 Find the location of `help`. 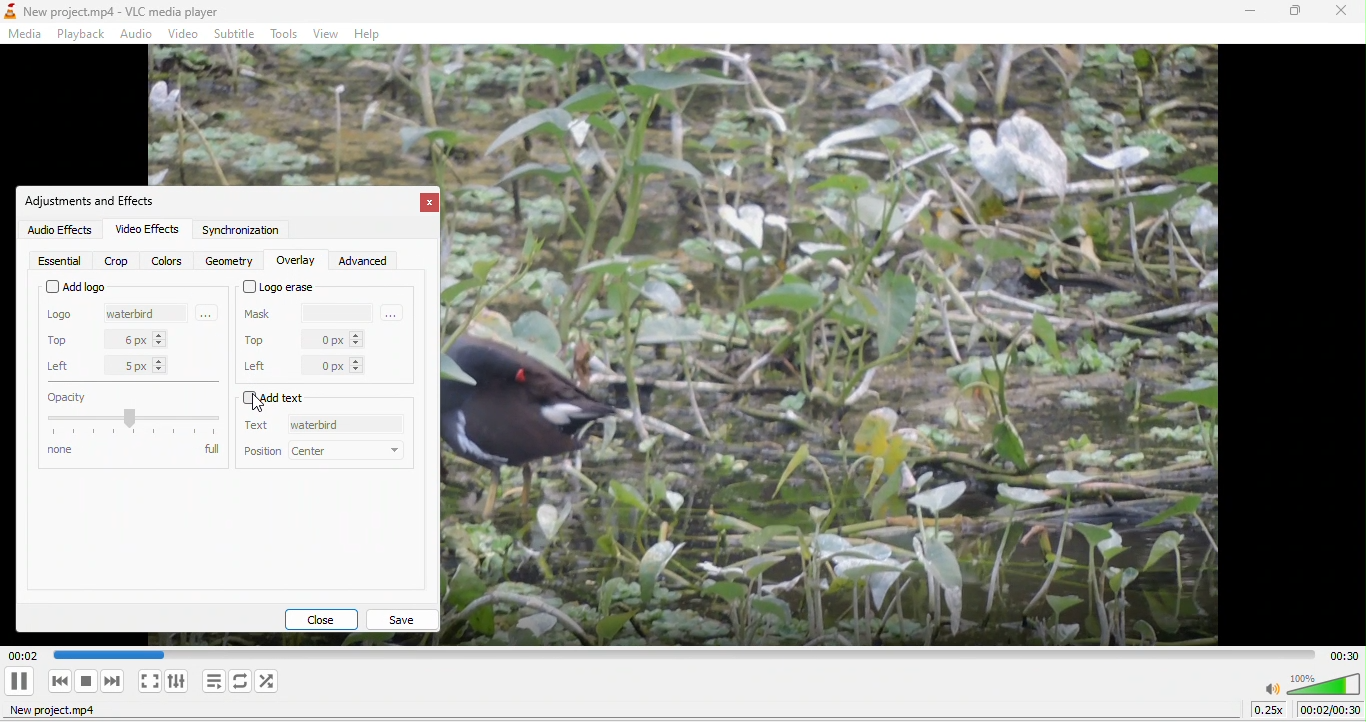

help is located at coordinates (373, 33).